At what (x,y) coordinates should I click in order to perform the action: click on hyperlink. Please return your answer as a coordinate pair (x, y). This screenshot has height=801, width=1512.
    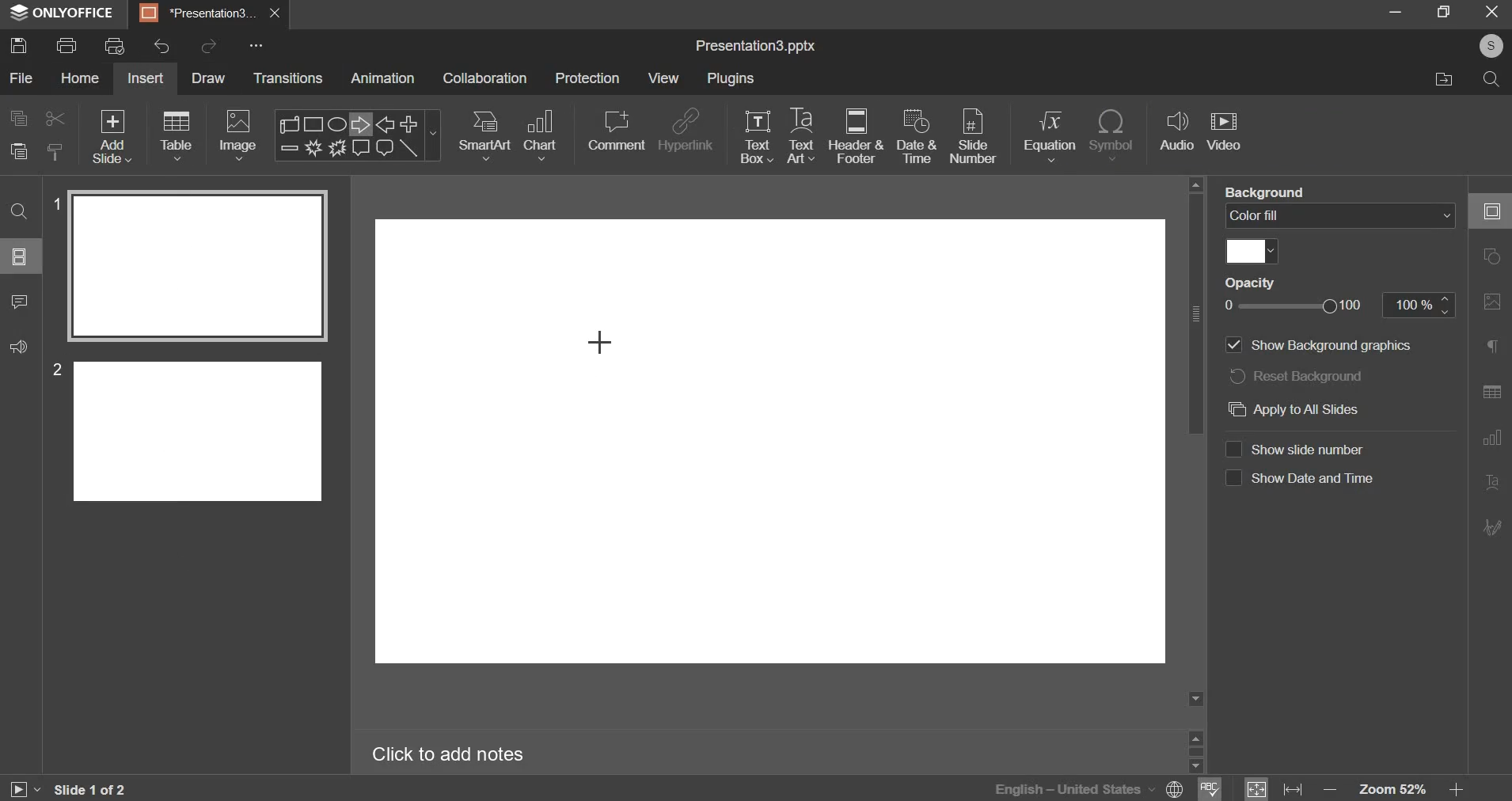
    Looking at the image, I should click on (687, 129).